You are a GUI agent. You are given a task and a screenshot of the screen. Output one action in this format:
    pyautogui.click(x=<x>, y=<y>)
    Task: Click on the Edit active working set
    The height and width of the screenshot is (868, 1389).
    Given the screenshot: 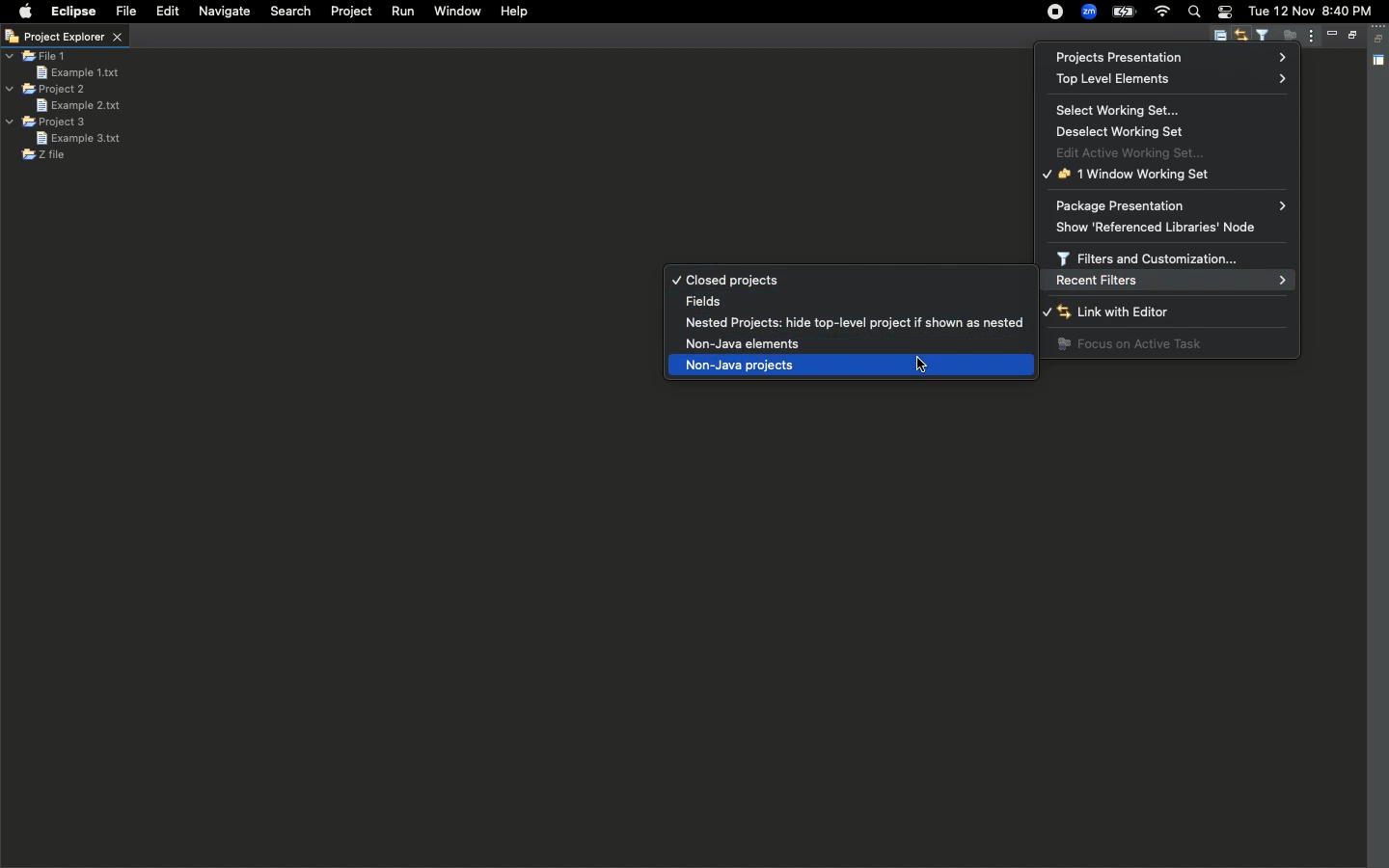 What is the action you would take?
    pyautogui.click(x=1139, y=151)
    